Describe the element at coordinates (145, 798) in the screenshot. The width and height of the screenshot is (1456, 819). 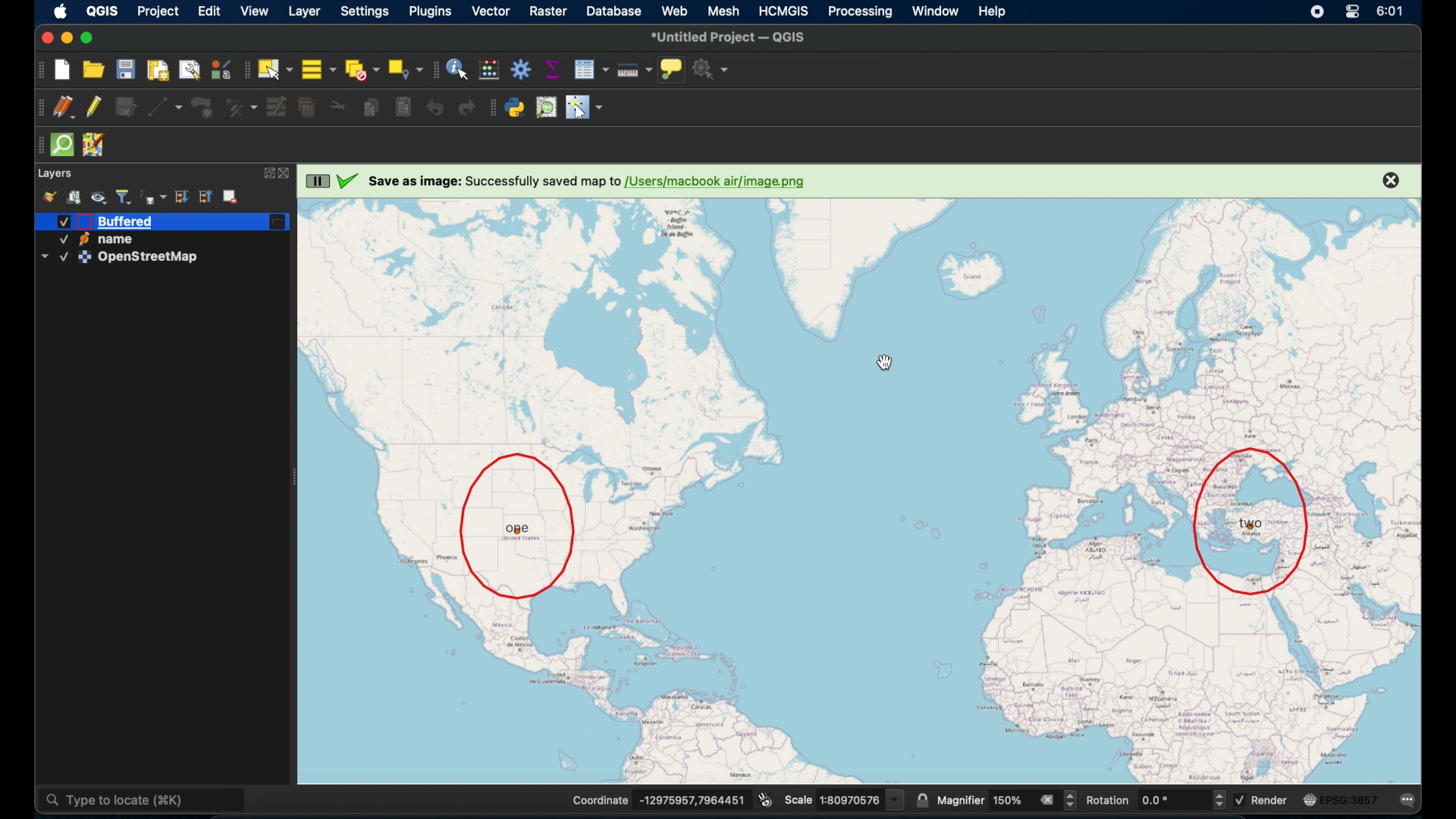
I see `type to locate` at that location.